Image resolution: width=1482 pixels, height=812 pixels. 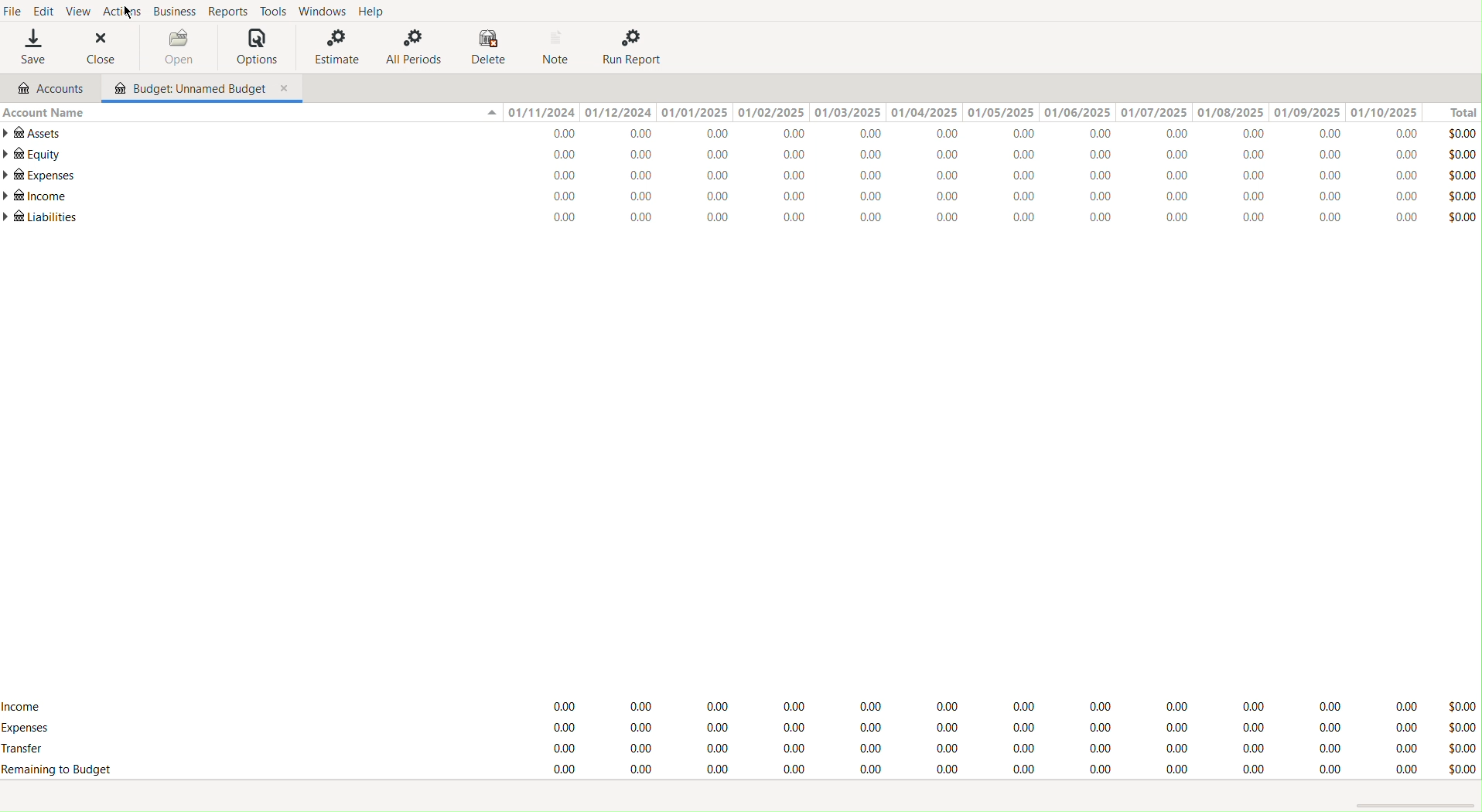 What do you see at coordinates (637, 47) in the screenshot?
I see `Run Report` at bounding box center [637, 47].